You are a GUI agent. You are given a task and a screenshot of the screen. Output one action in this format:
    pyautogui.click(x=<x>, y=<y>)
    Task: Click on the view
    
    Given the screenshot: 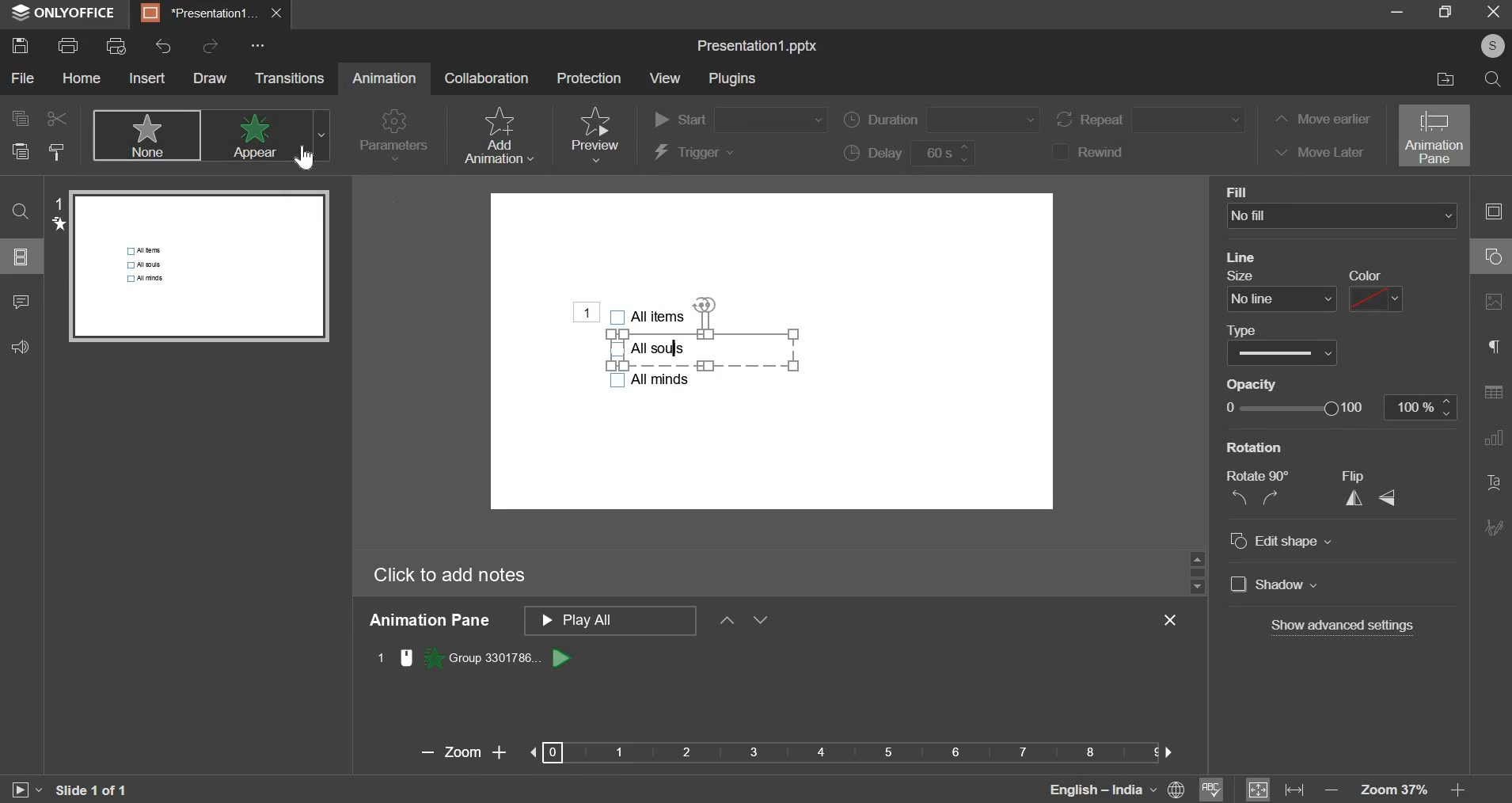 What is the action you would take?
    pyautogui.click(x=666, y=78)
    